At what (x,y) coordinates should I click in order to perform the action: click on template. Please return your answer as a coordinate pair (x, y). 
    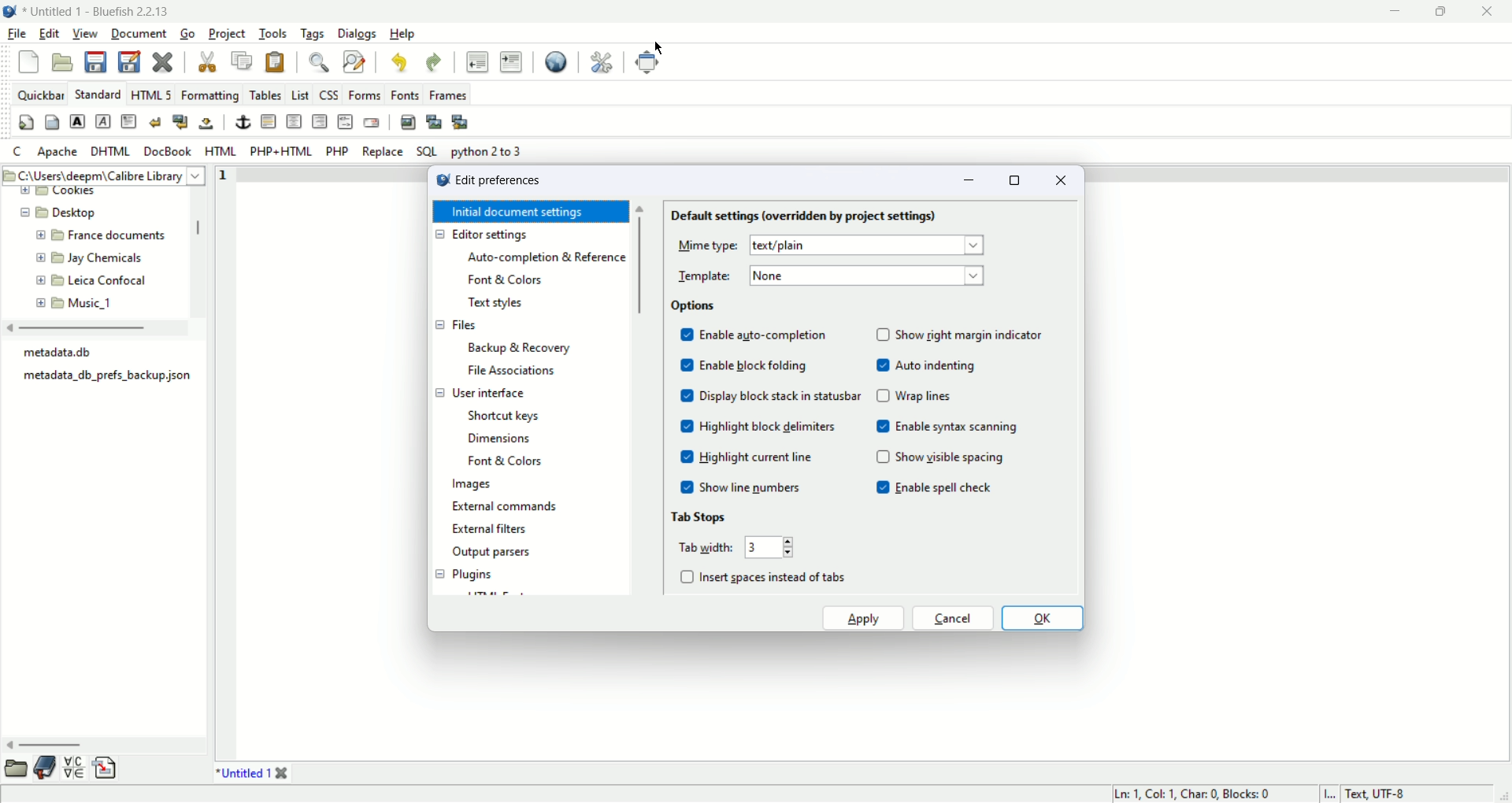
    Looking at the image, I should click on (704, 276).